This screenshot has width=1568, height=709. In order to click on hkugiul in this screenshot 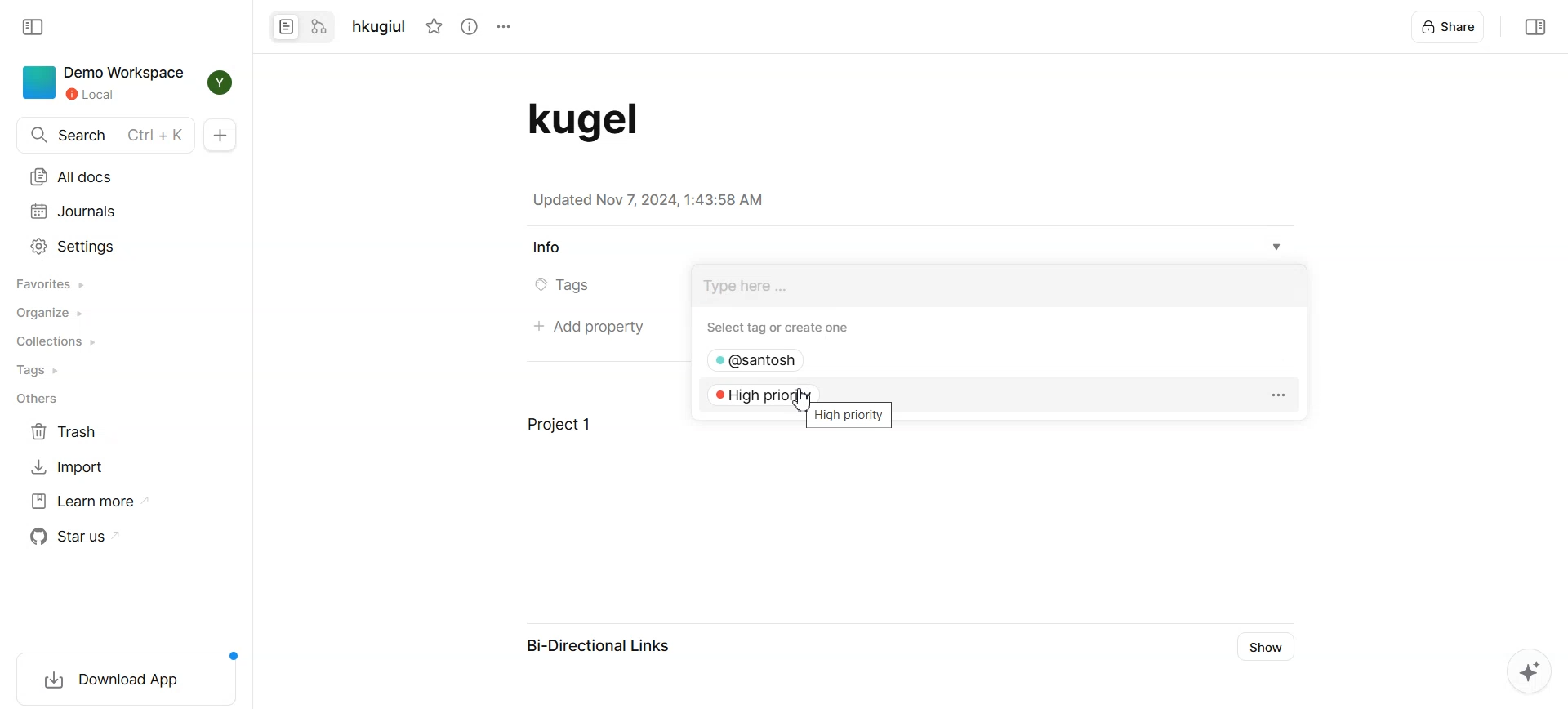, I will do `click(383, 27)`.